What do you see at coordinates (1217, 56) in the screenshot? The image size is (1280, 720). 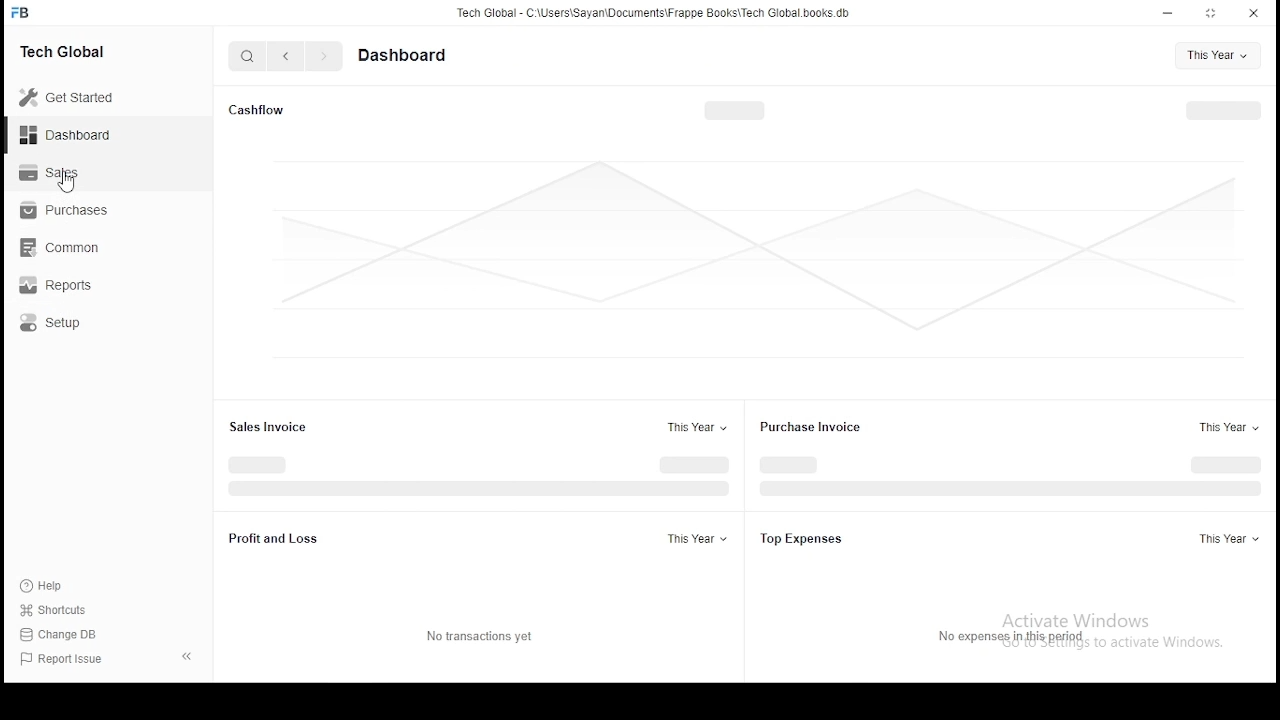 I see `this year` at bounding box center [1217, 56].